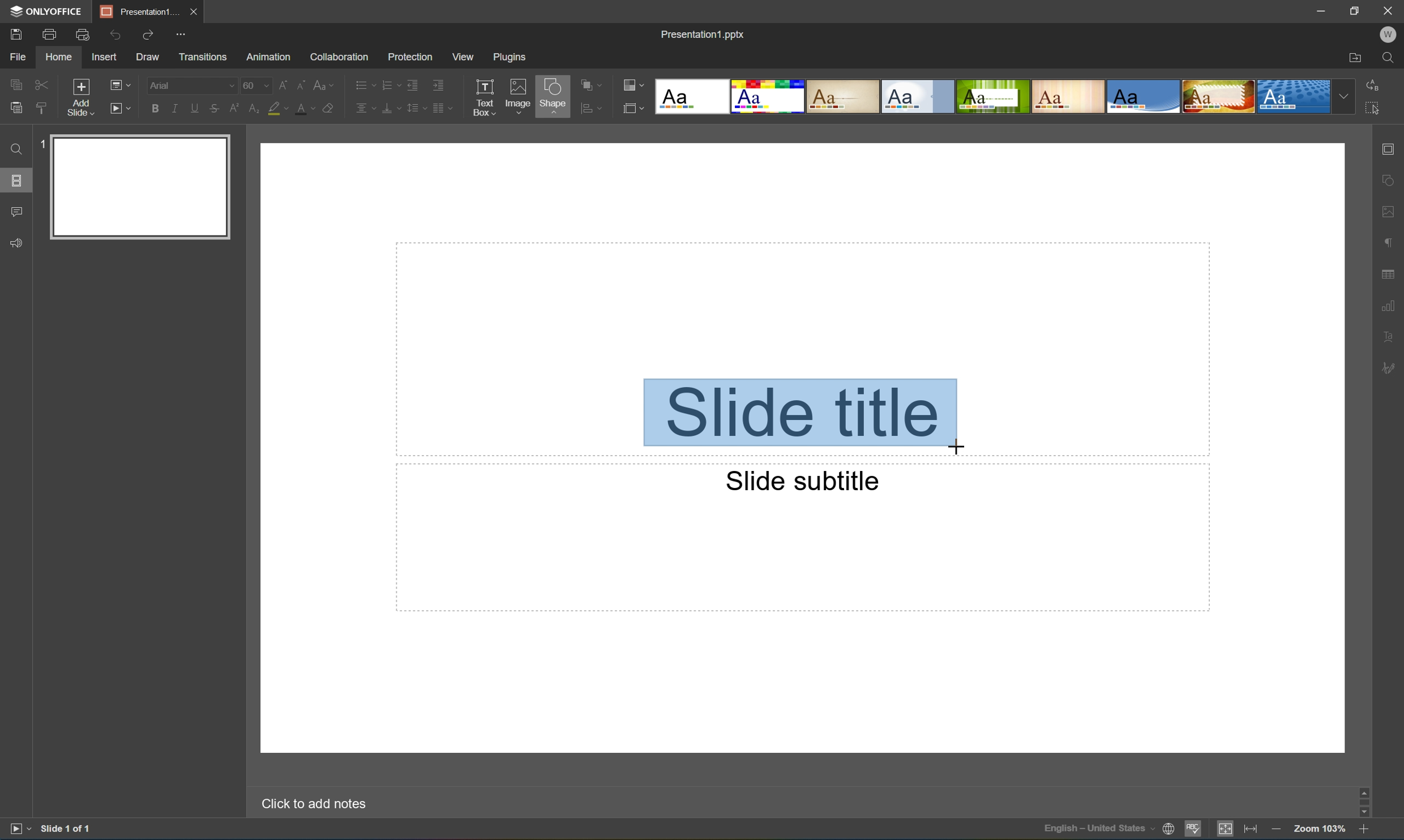 Image resolution: width=1404 pixels, height=840 pixels. What do you see at coordinates (1275, 829) in the screenshot?
I see `Zoom out` at bounding box center [1275, 829].